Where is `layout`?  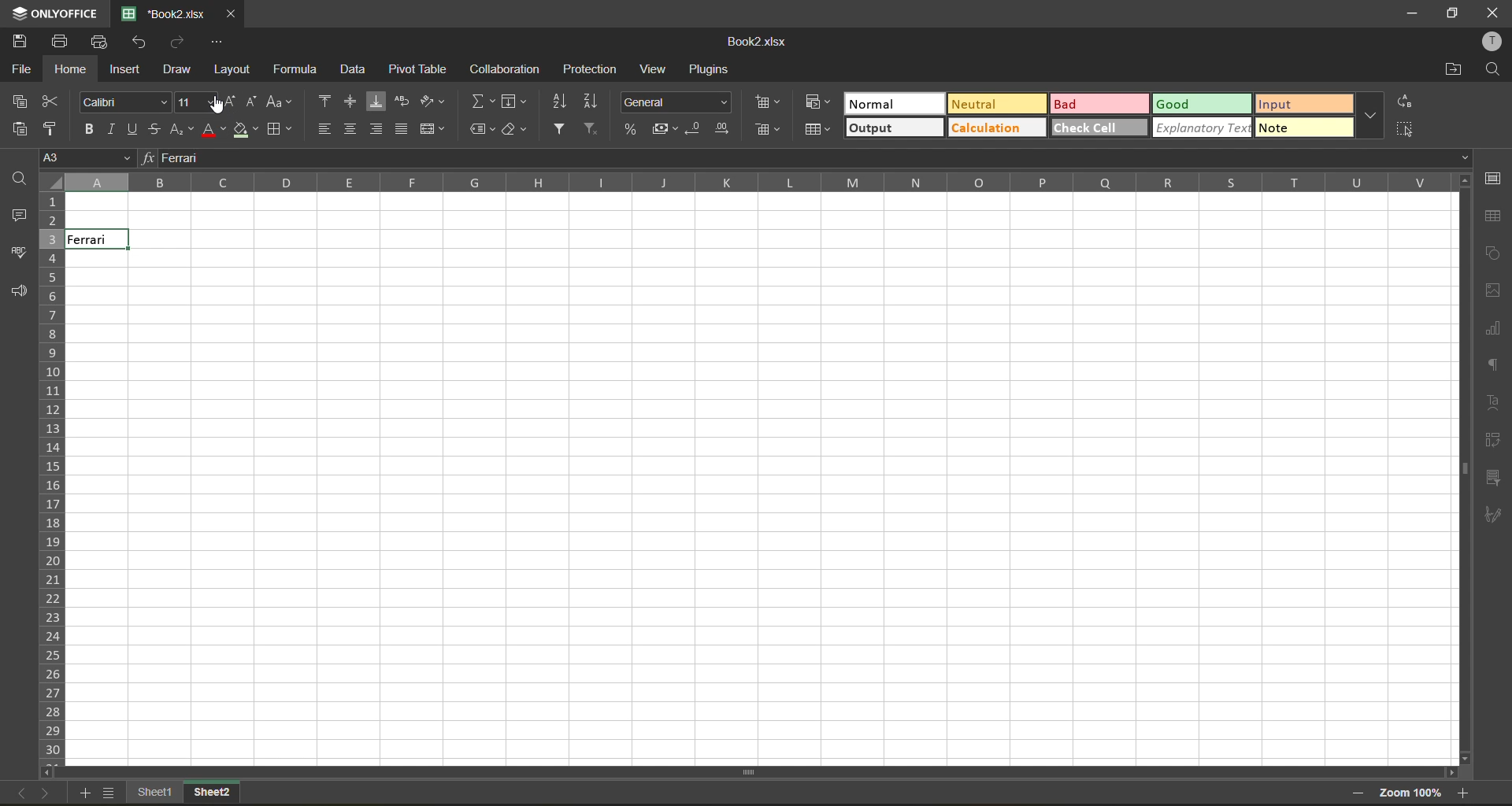 layout is located at coordinates (232, 69).